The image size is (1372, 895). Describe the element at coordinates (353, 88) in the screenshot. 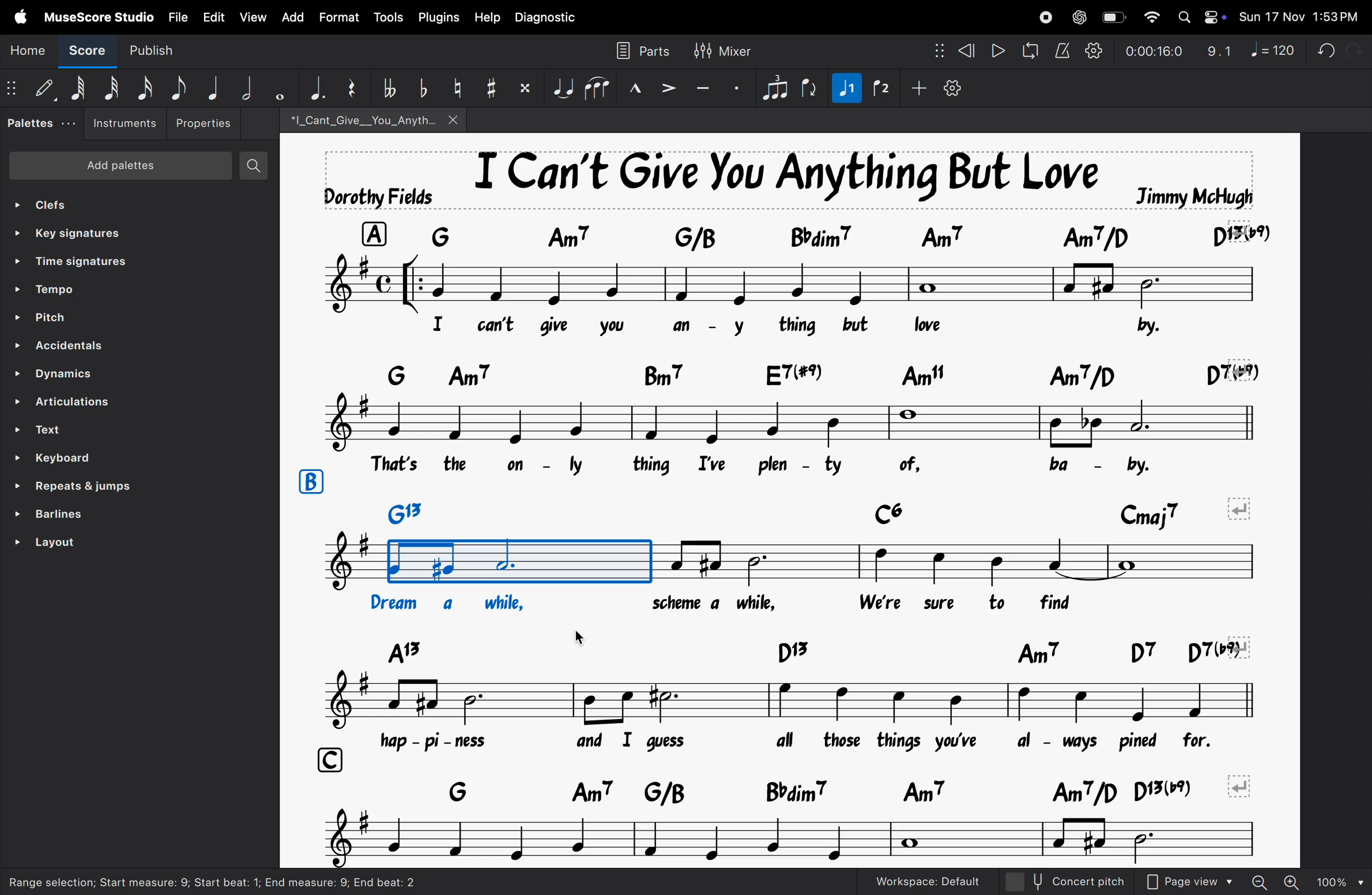

I see `reser ` at that location.